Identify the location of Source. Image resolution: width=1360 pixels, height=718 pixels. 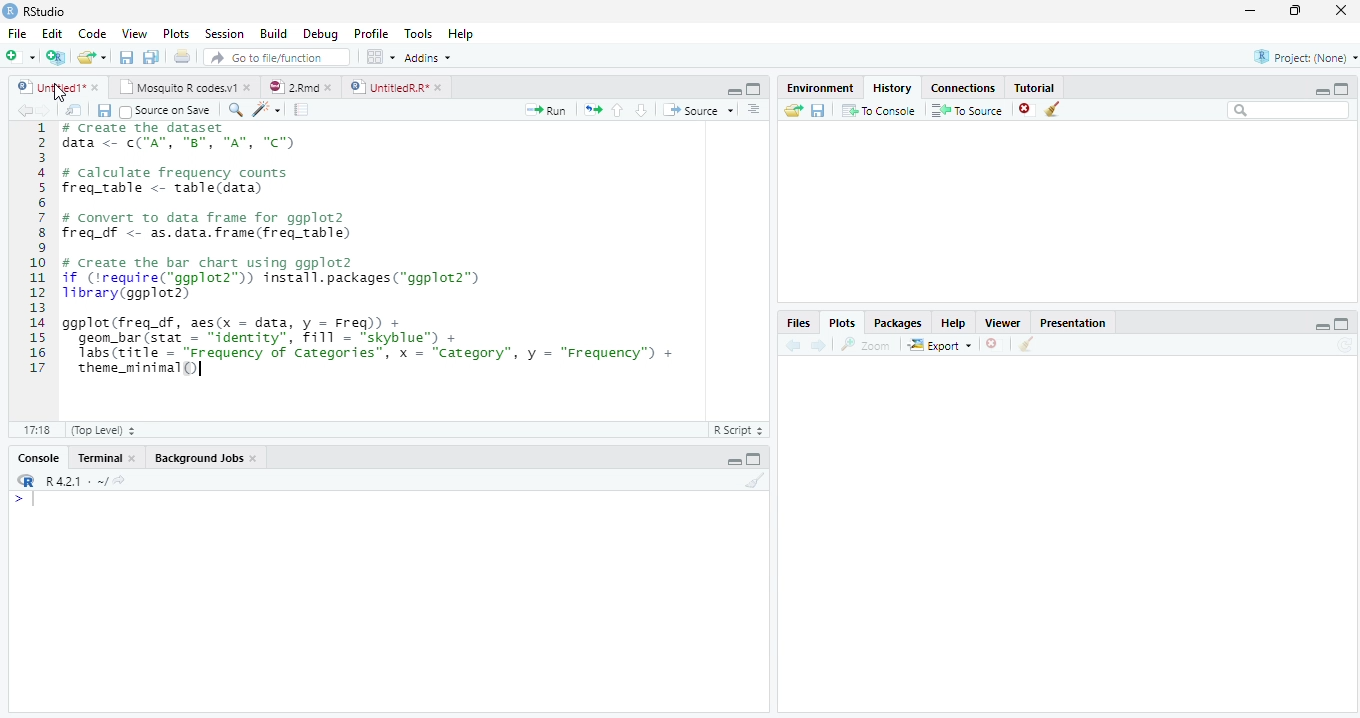
(701, 111).